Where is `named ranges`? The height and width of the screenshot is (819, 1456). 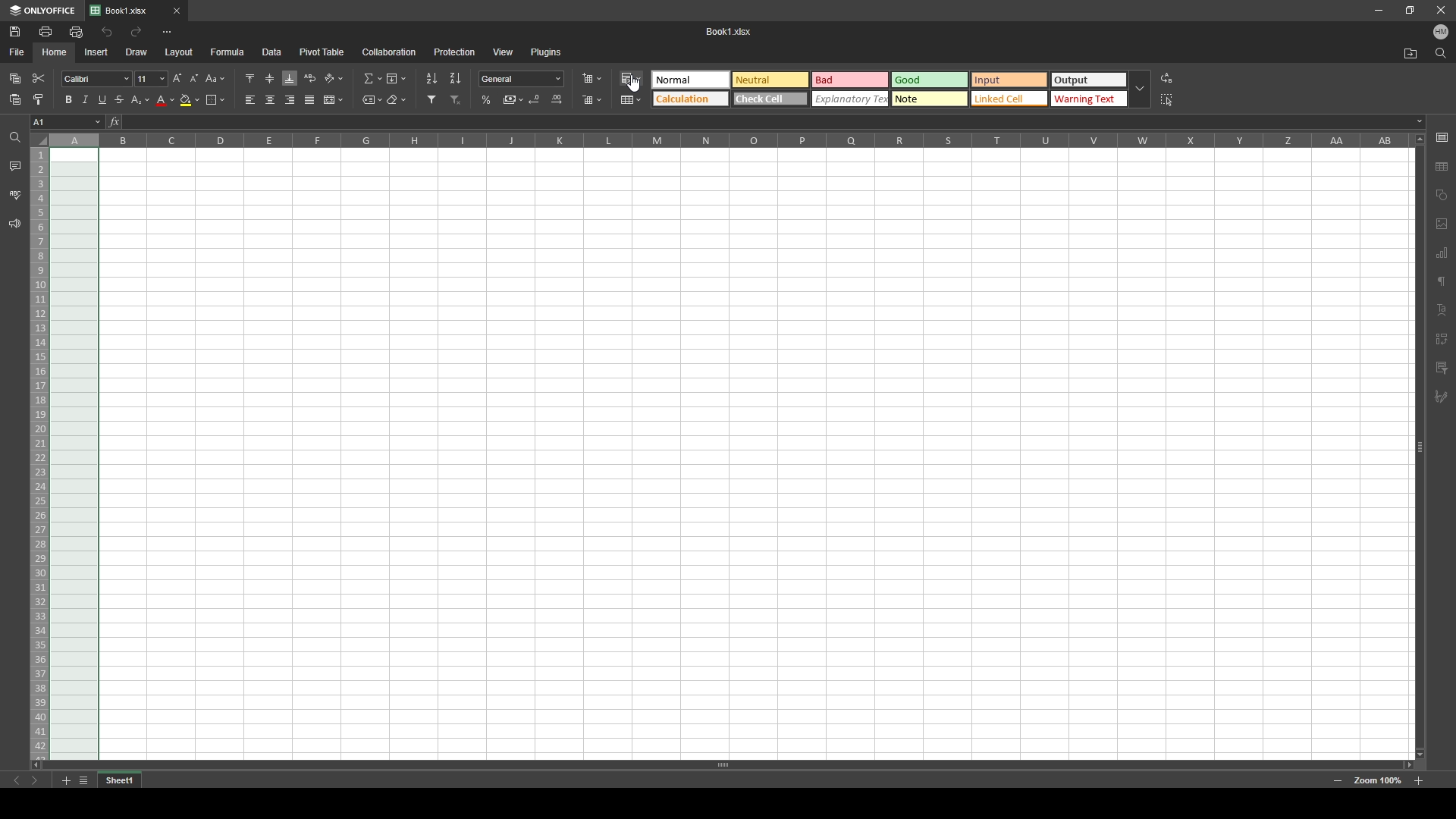 named ranges is located at coordinates (372, 100).